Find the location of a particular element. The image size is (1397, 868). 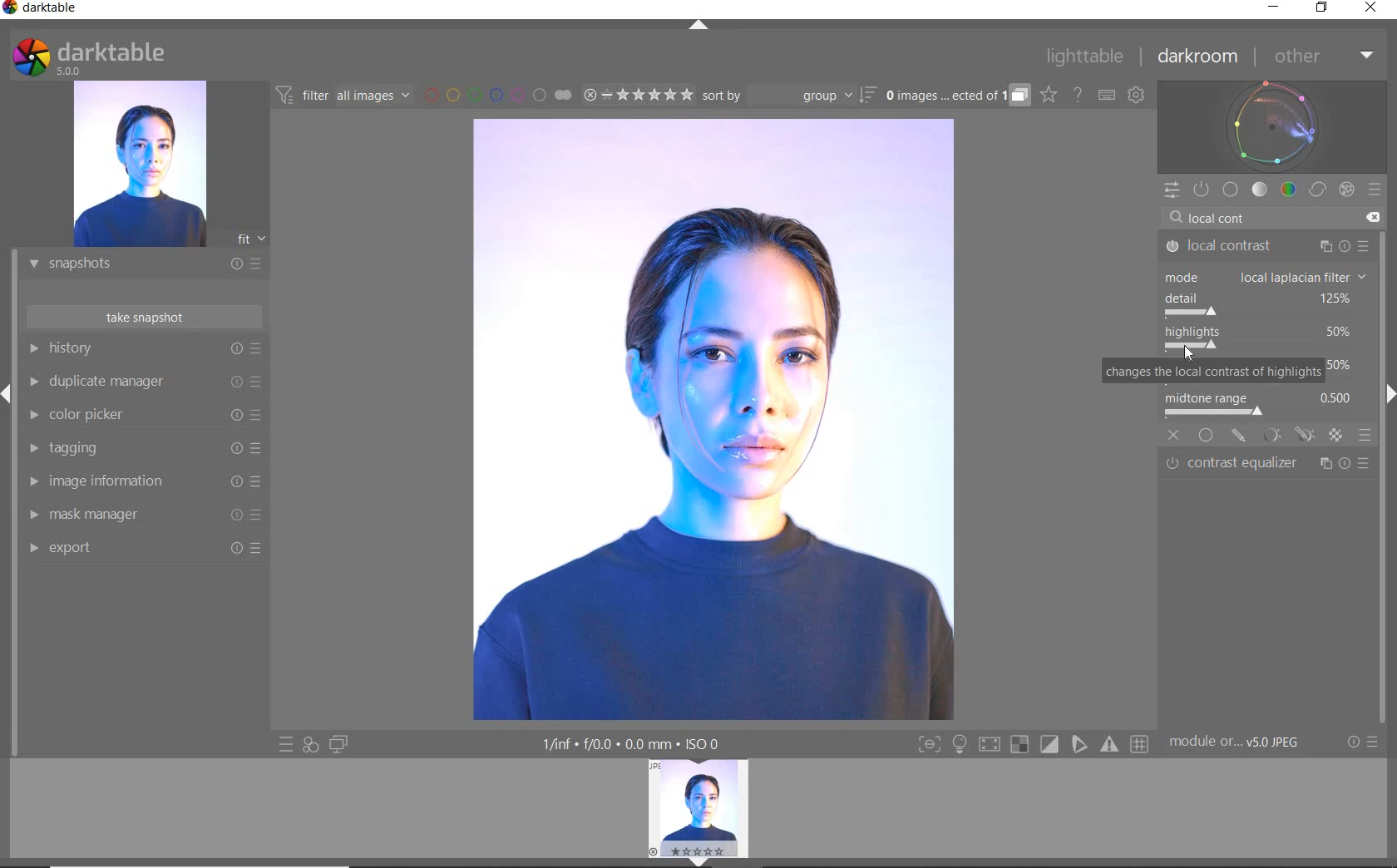

SNAPSHOTS is located at coordinates (138, 265).